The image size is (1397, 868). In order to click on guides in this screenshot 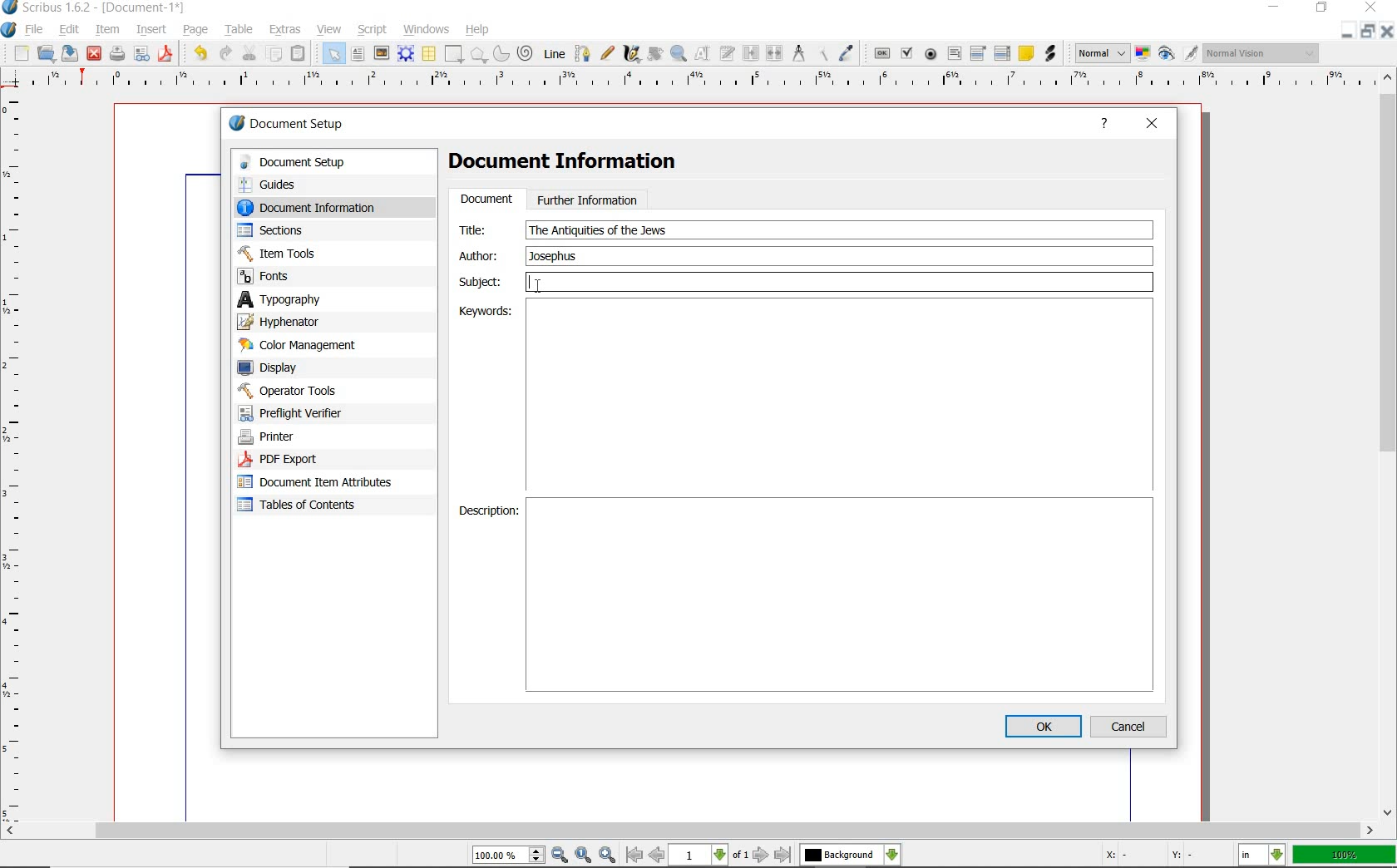, I will do `click(318, 184)`.